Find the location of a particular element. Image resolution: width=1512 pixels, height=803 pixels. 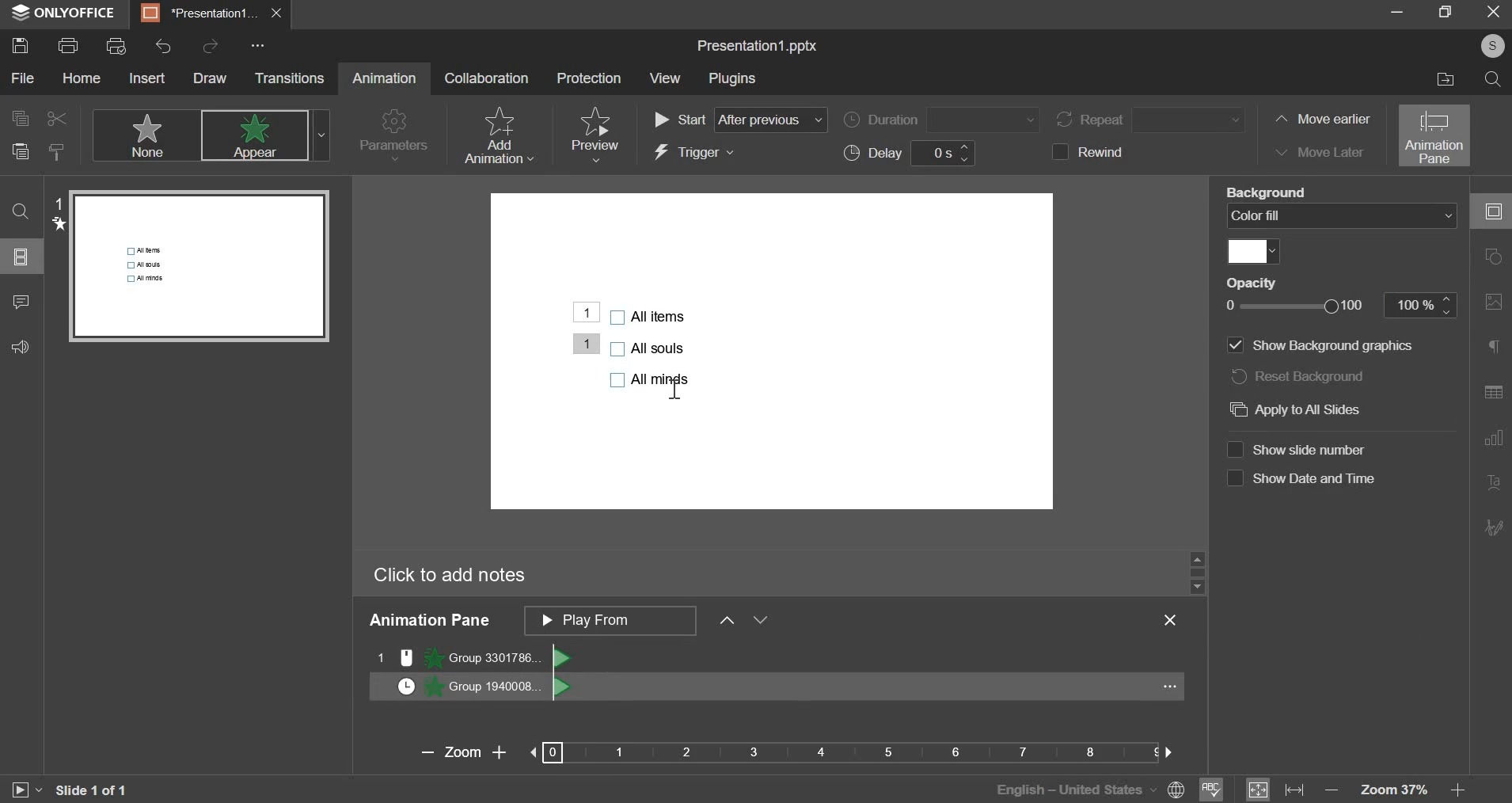

fit is located at coordinates (1275, 788).